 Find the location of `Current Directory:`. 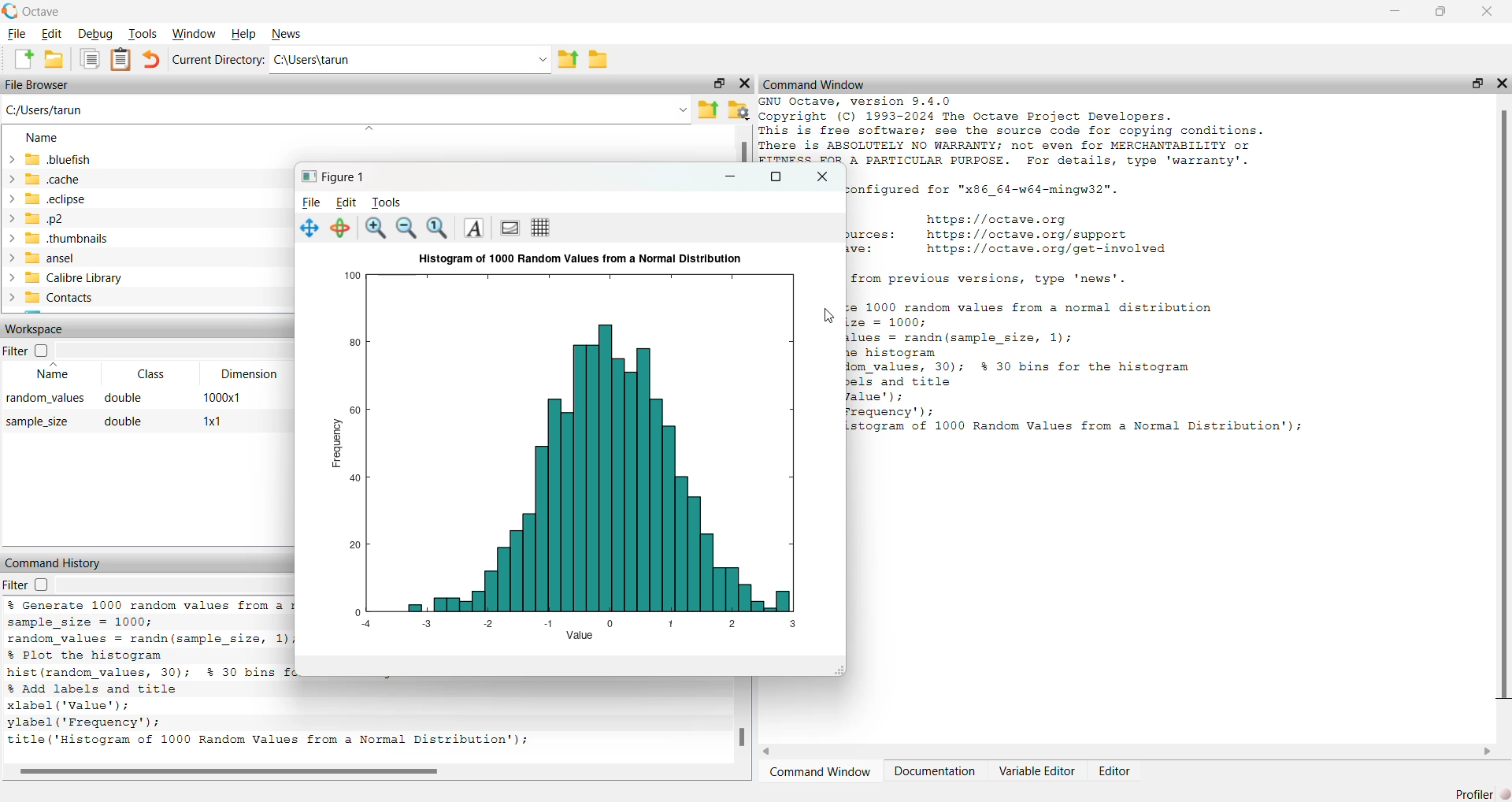

Current Directory: is located at coordinates (220, 59).